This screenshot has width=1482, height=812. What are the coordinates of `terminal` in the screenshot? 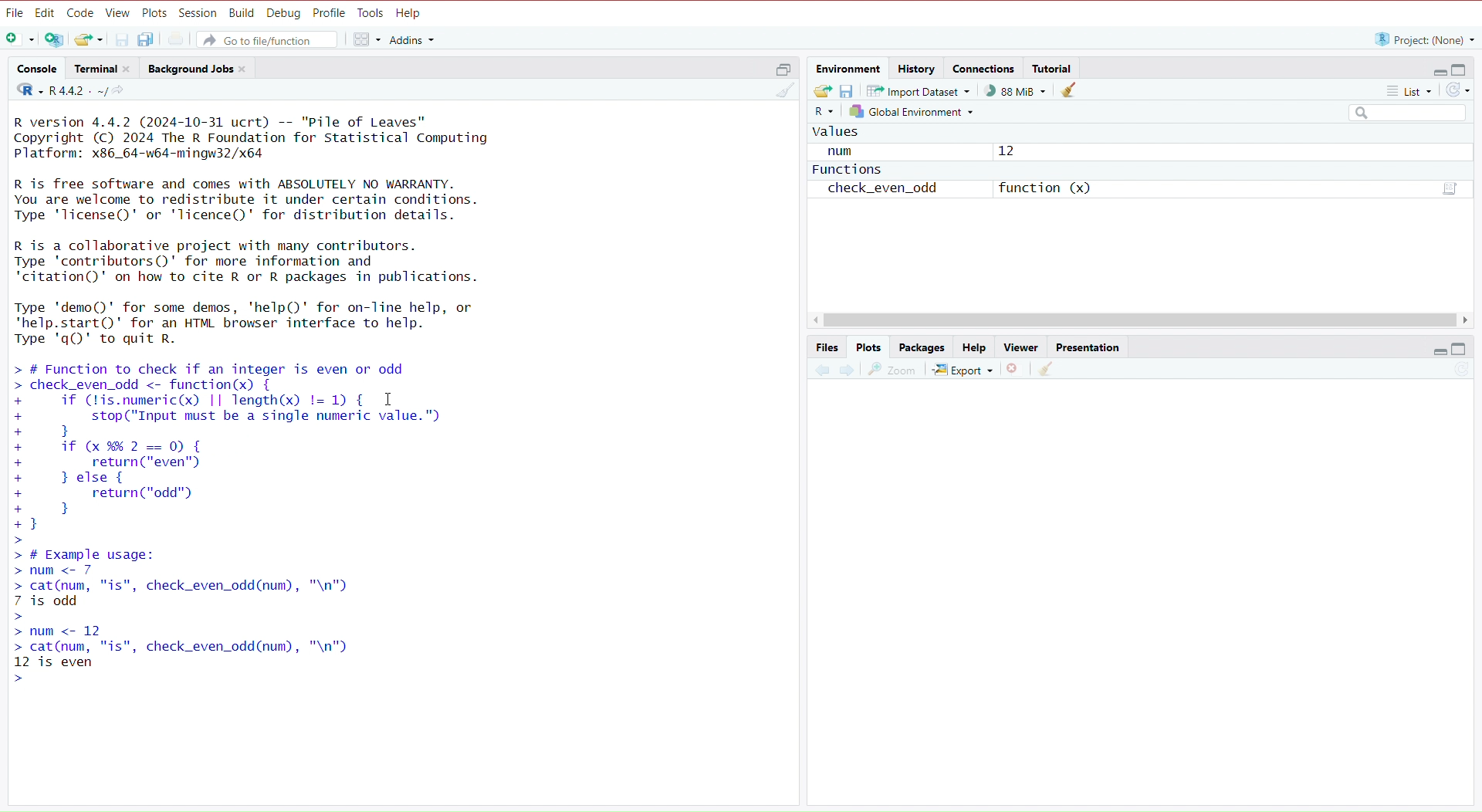 It's located at (106, 69).